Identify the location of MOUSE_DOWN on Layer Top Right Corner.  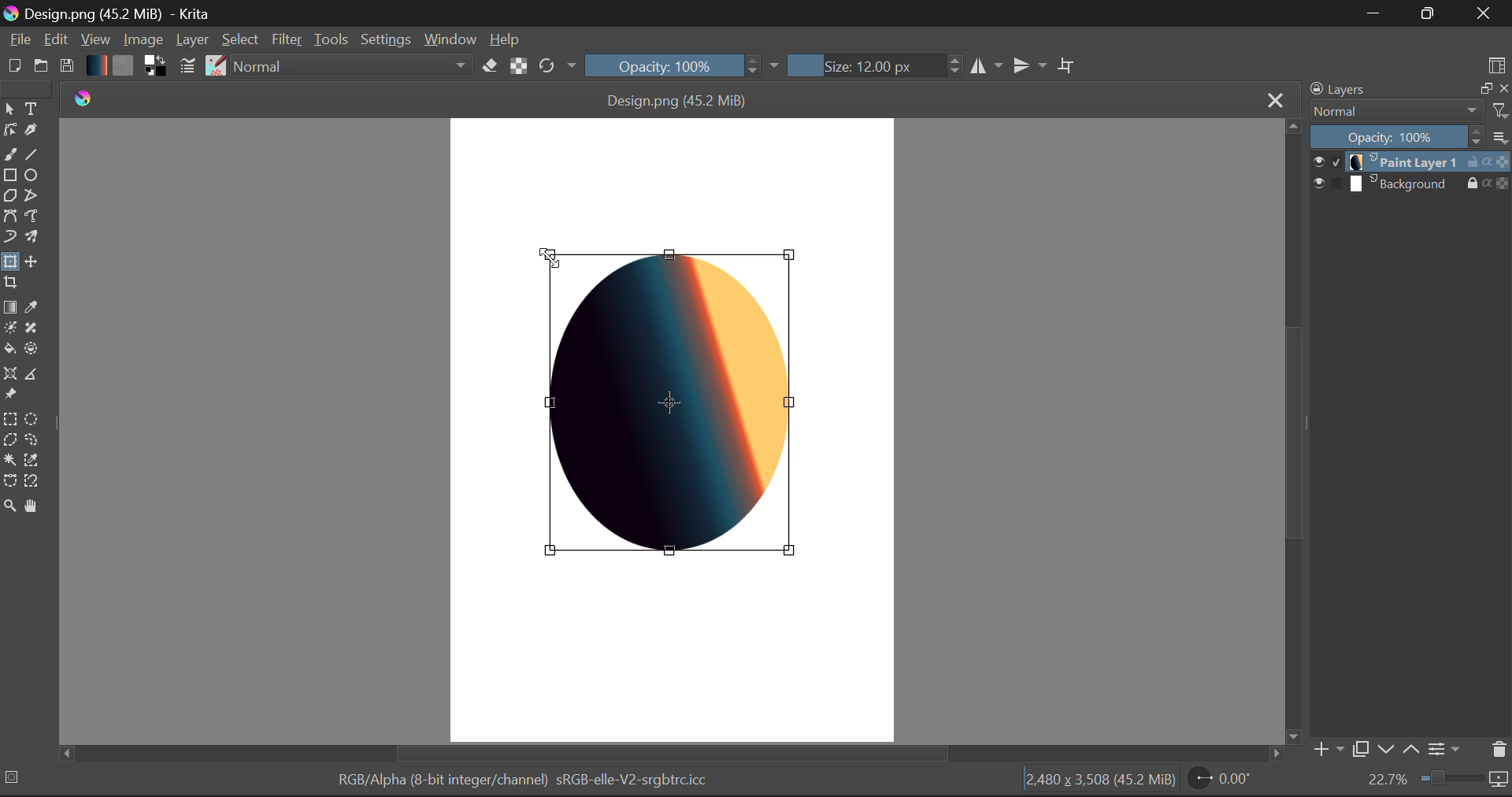
(554, 257).